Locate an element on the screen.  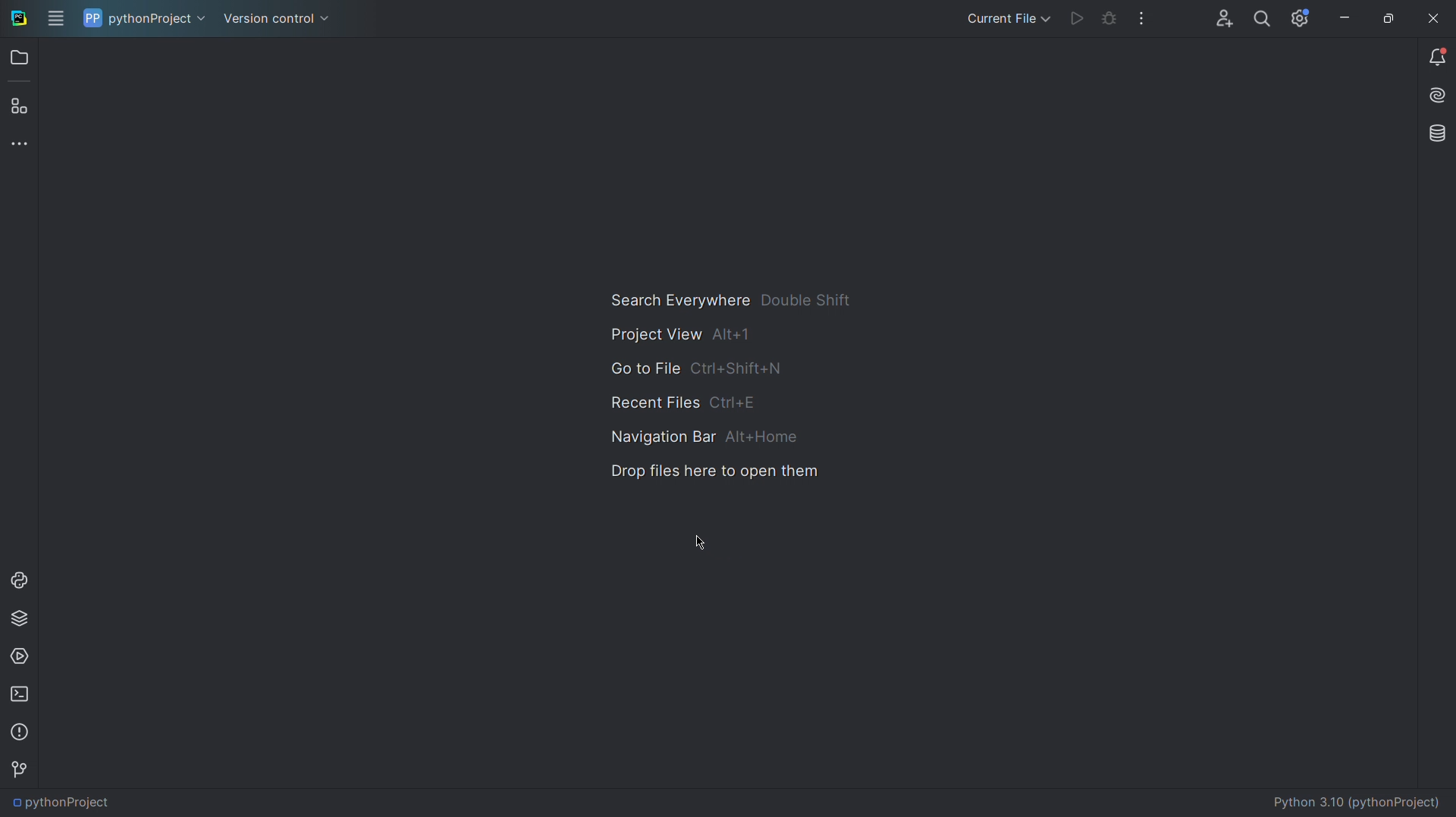
Navigation Bar Alt+Home is located at coordinates (728, 437).